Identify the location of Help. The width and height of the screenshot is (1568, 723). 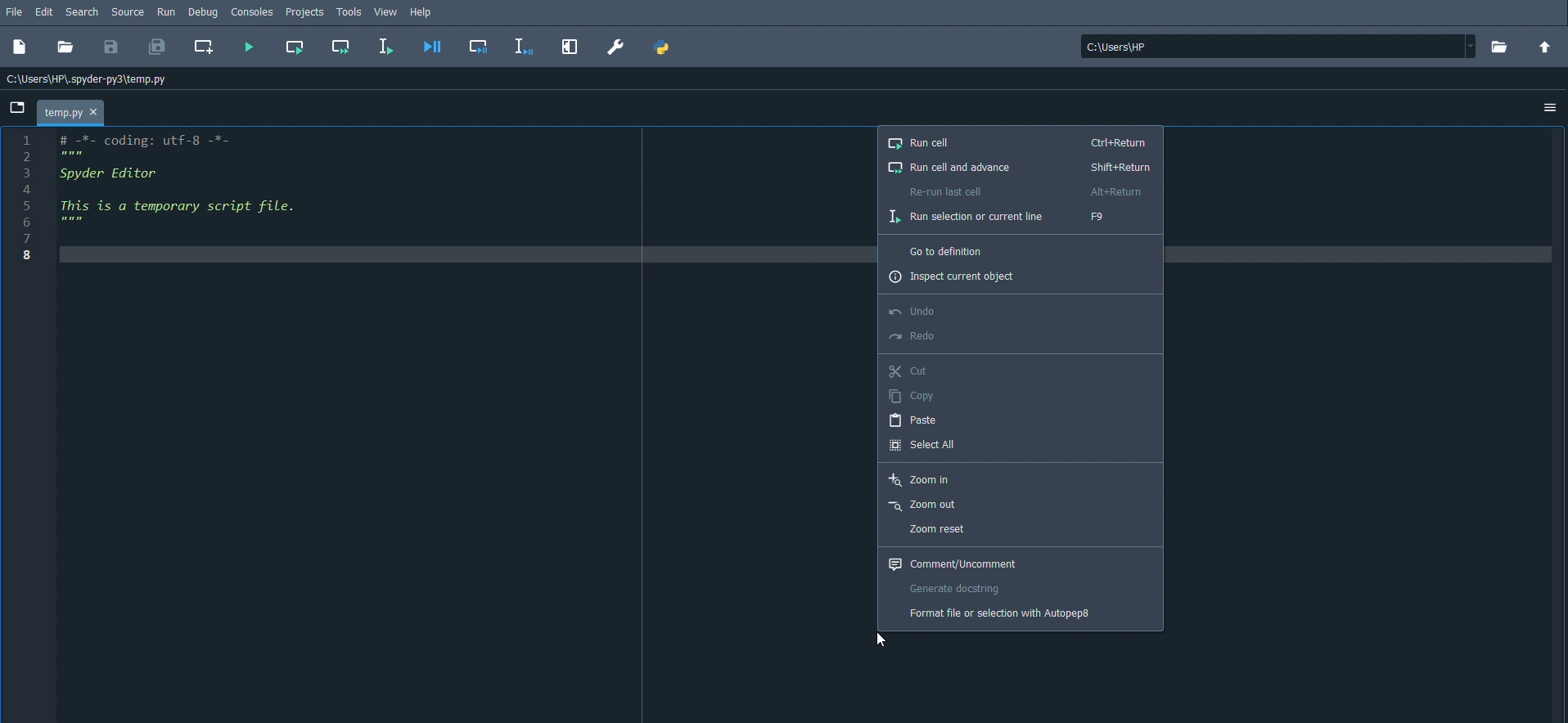
(421, 11).